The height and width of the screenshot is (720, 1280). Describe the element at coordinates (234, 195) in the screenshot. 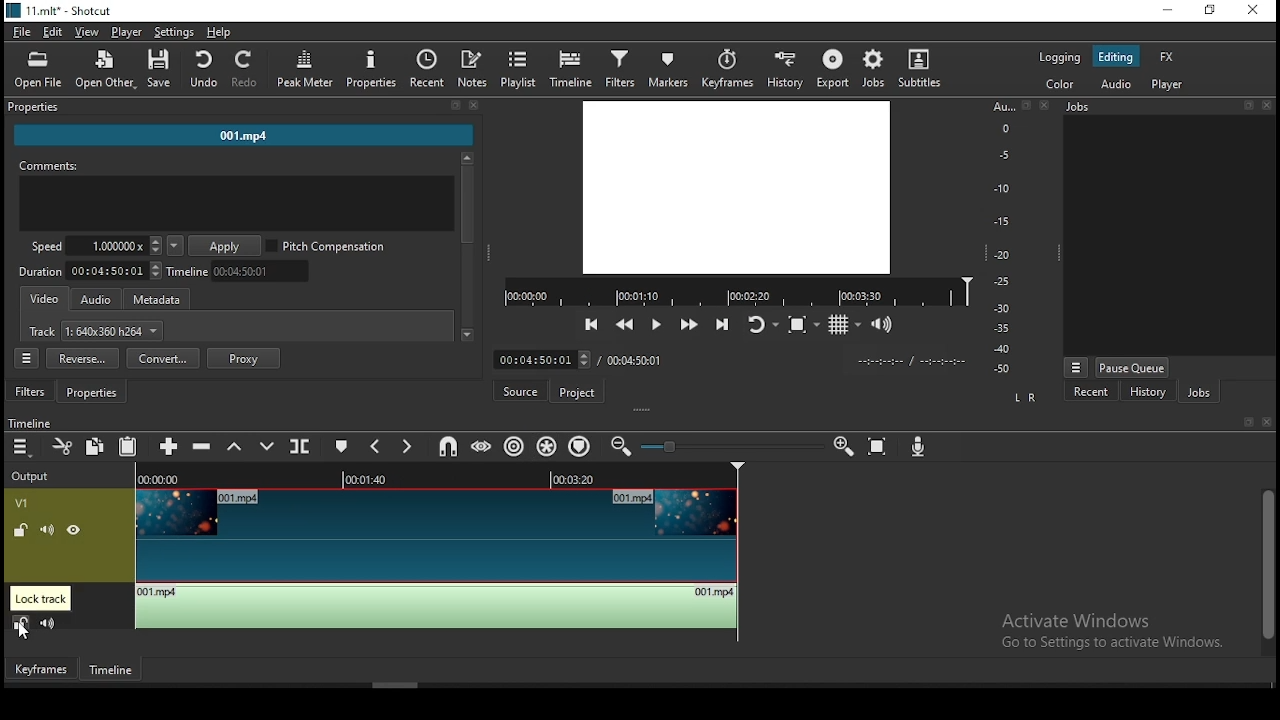

I see `comments` at that location.